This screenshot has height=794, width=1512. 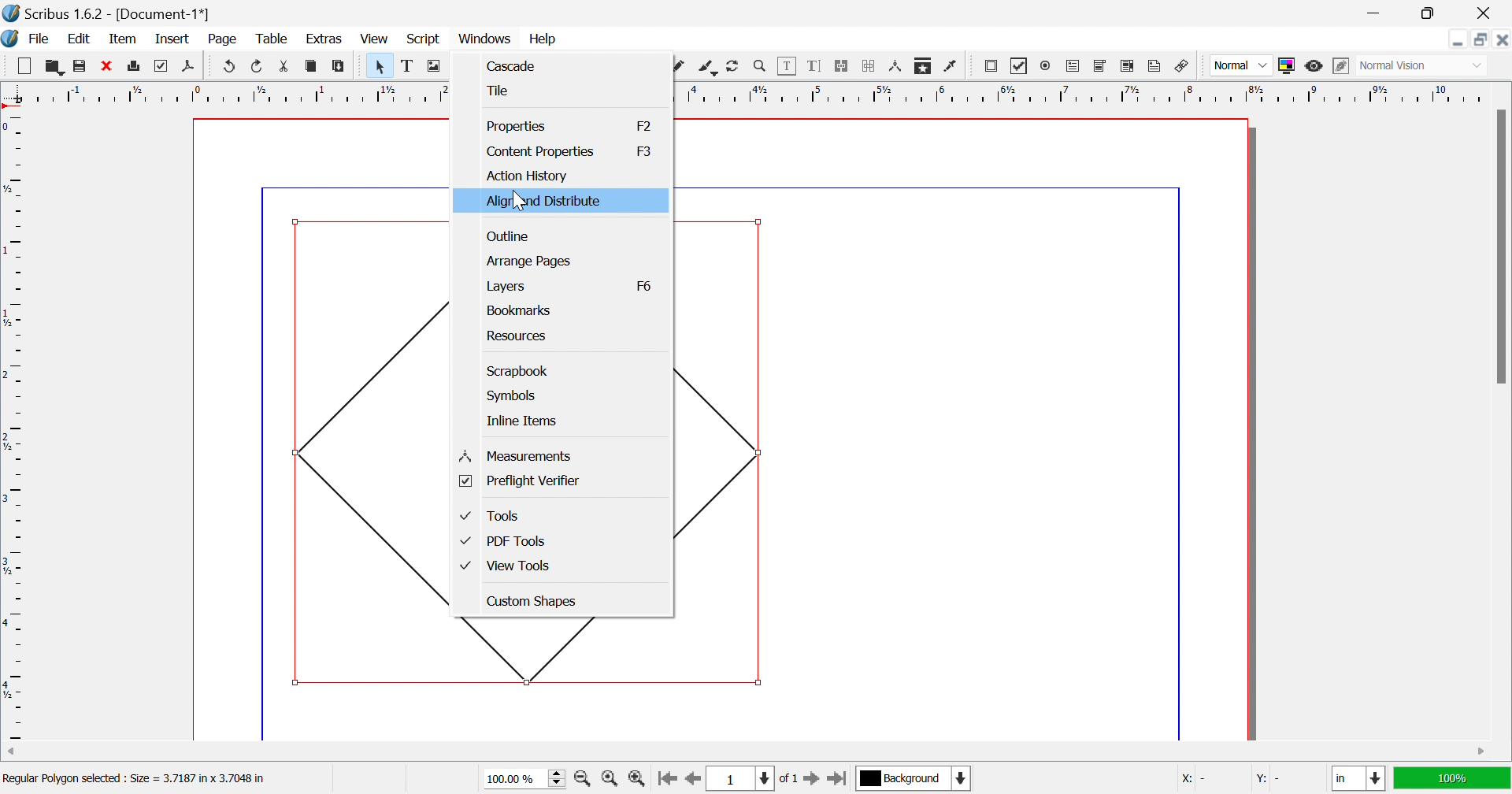 What do you see at coordinates (738, 779) in the screenshot?
I see `1` at bounding box center [738, 779].